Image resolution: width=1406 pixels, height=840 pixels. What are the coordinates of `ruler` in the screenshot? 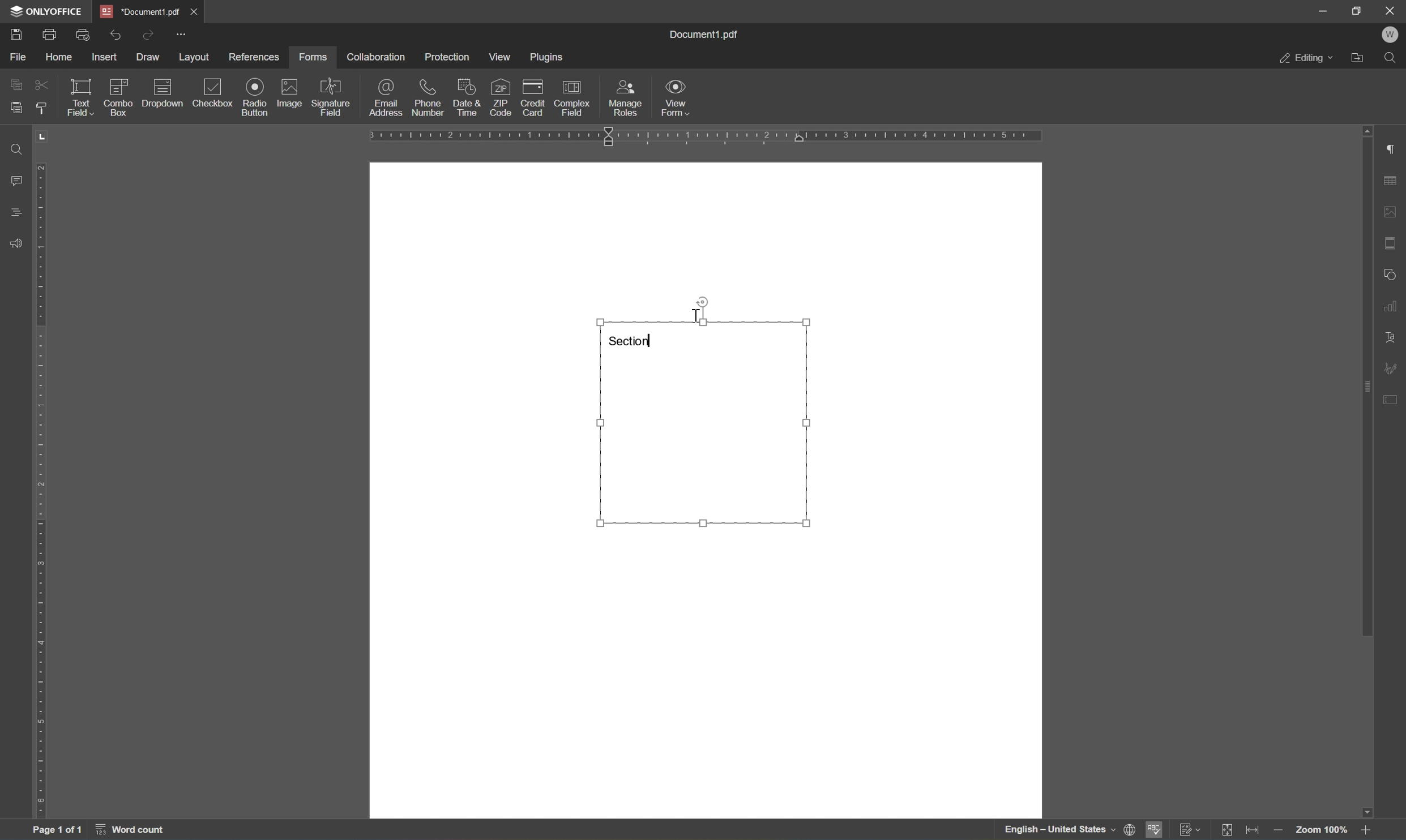 It's located at (43, 491).